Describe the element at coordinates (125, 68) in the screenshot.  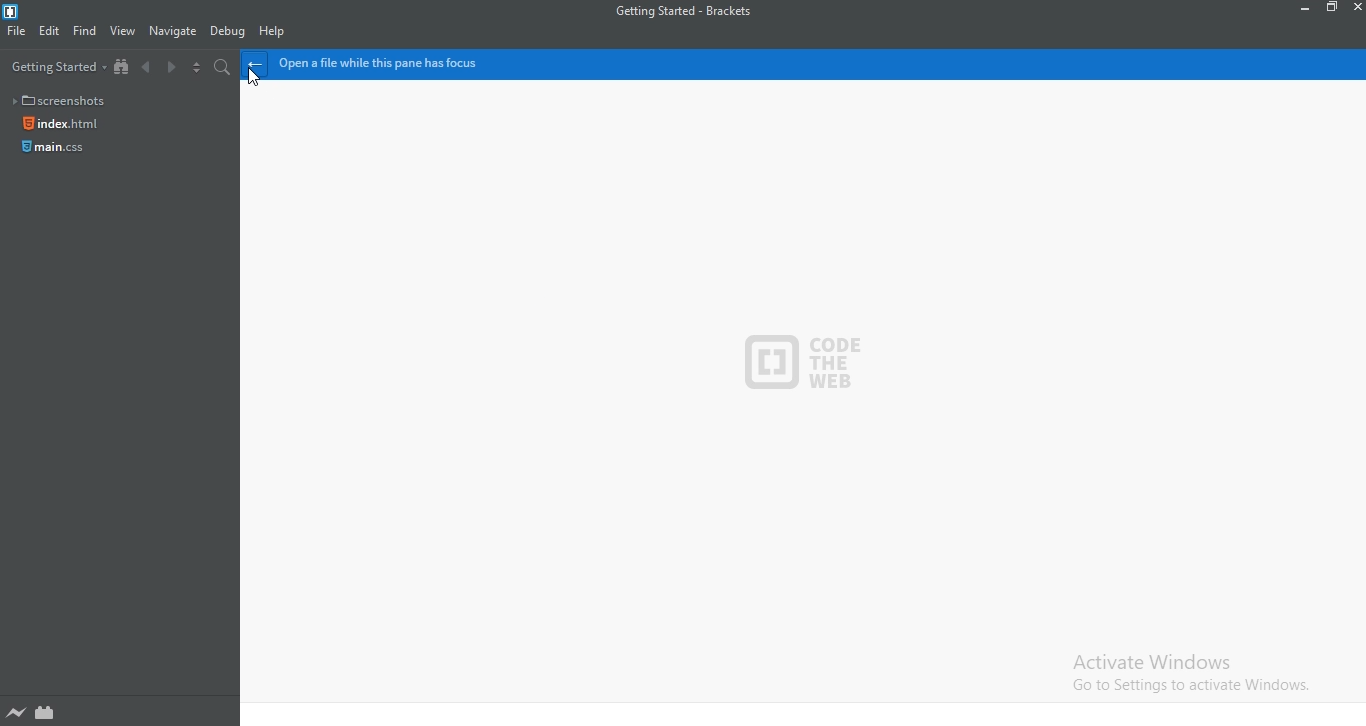
I see `Show file tree` at that location.